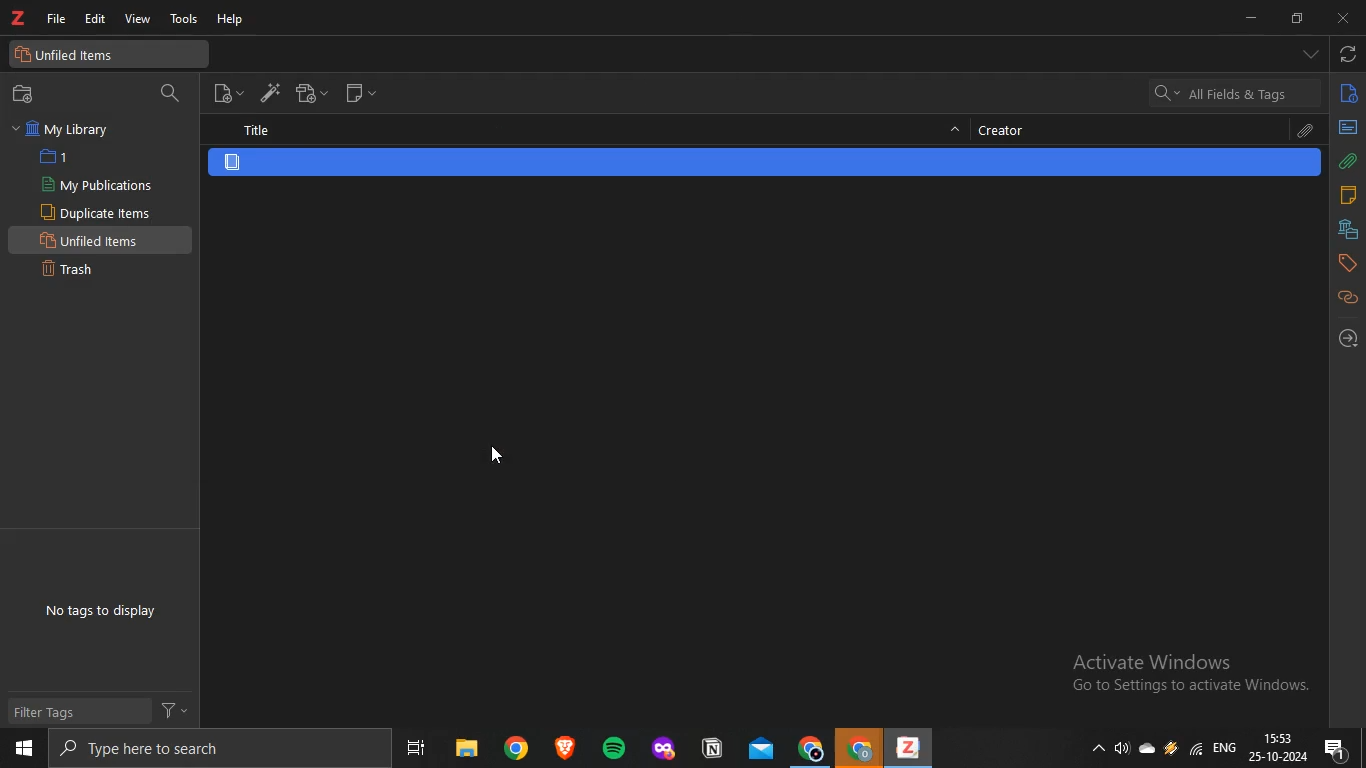 The image size is (1366, 768). I want to click on drop down, so click(1311, 54).